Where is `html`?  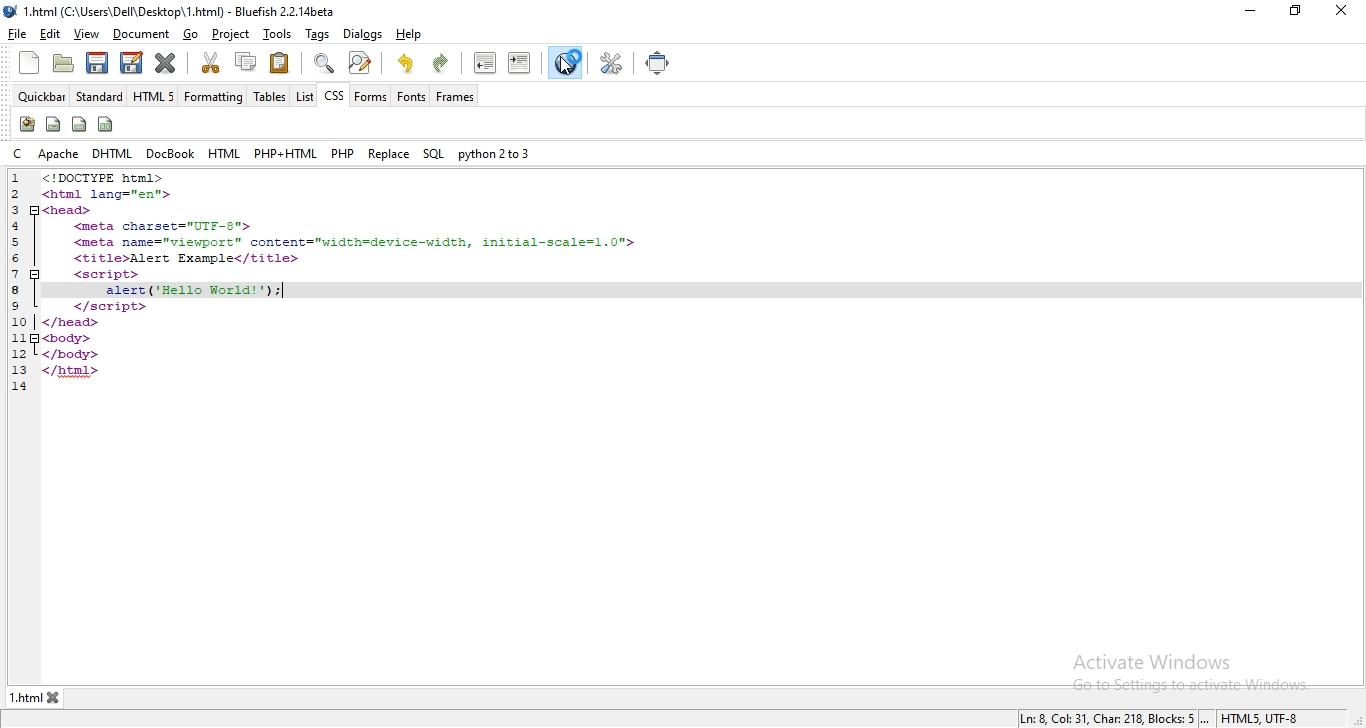 html is located at coordinates (219, 152).